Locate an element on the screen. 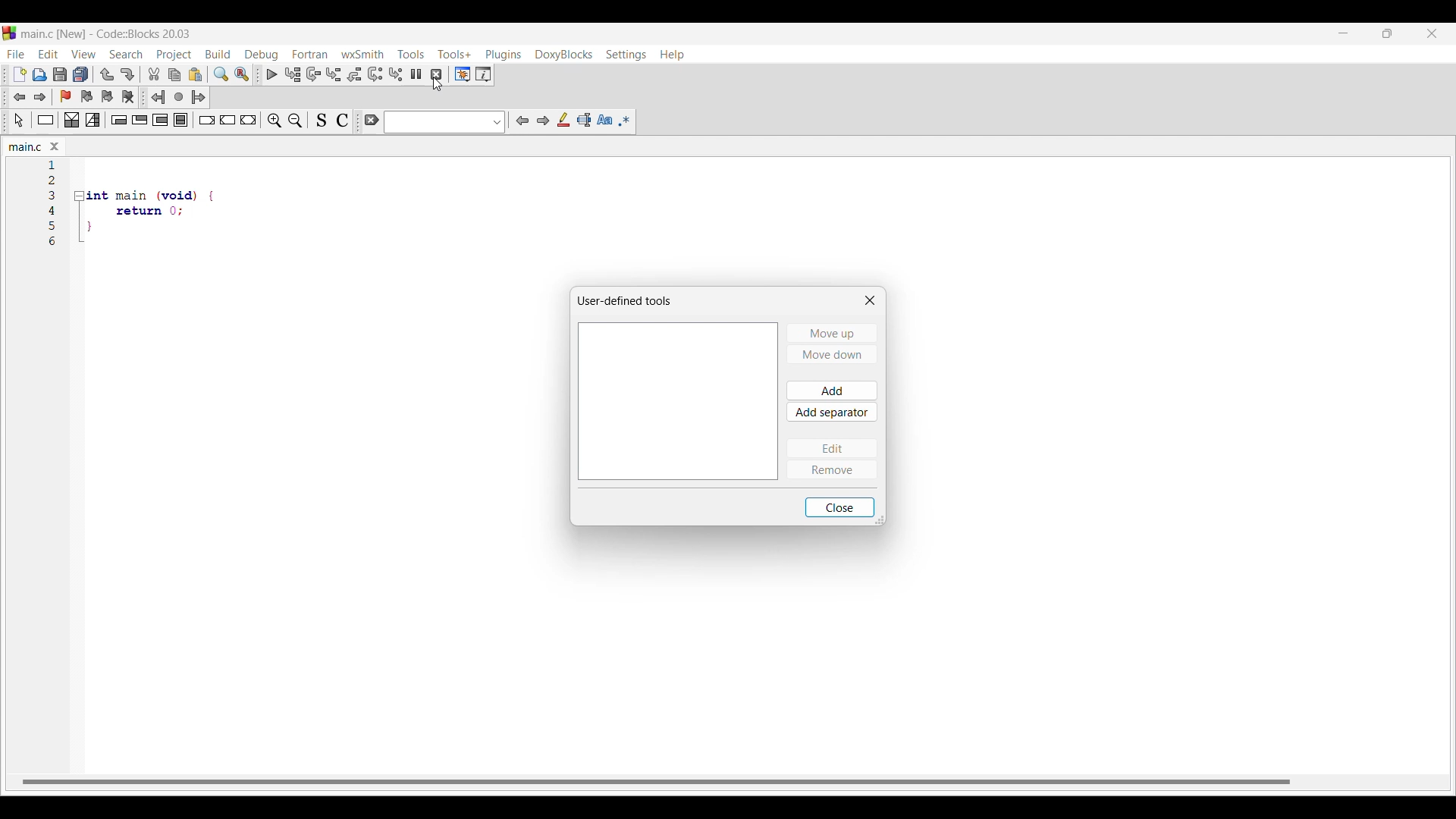  Next is located at coordinates (542, 120).